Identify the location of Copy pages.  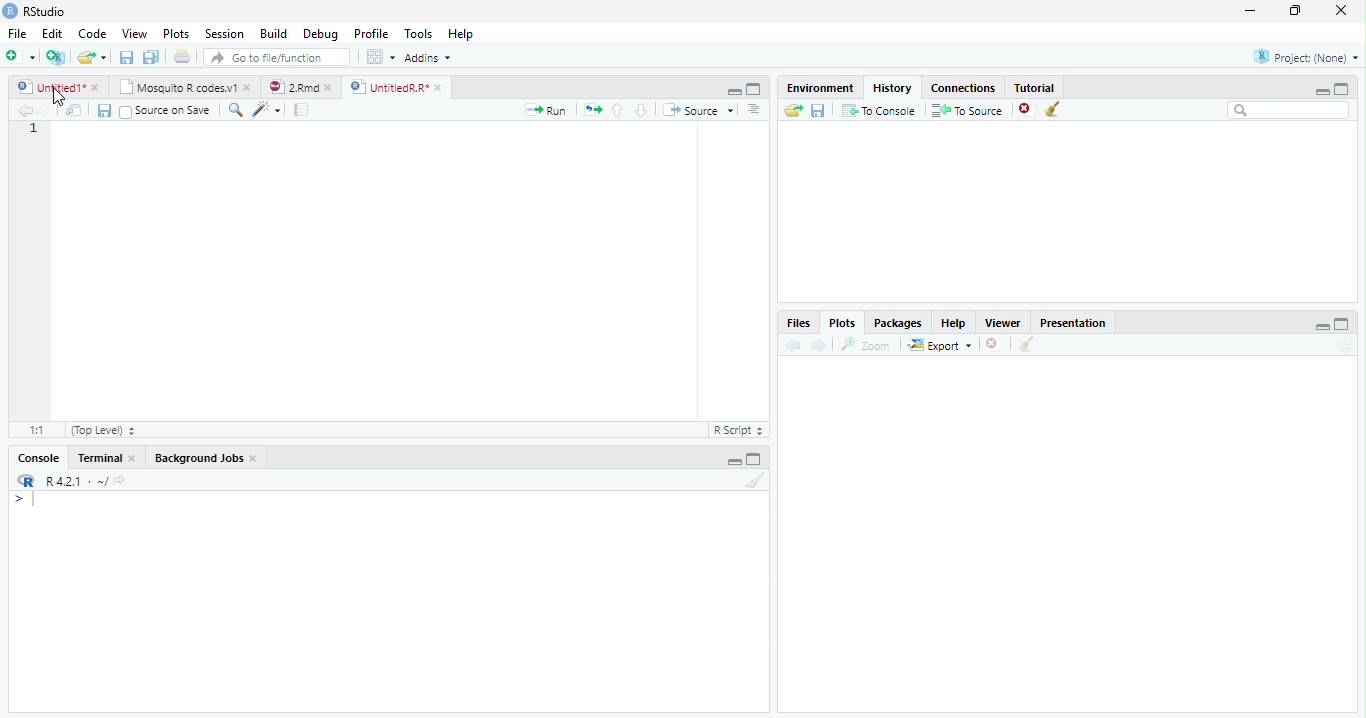
(590, 109).